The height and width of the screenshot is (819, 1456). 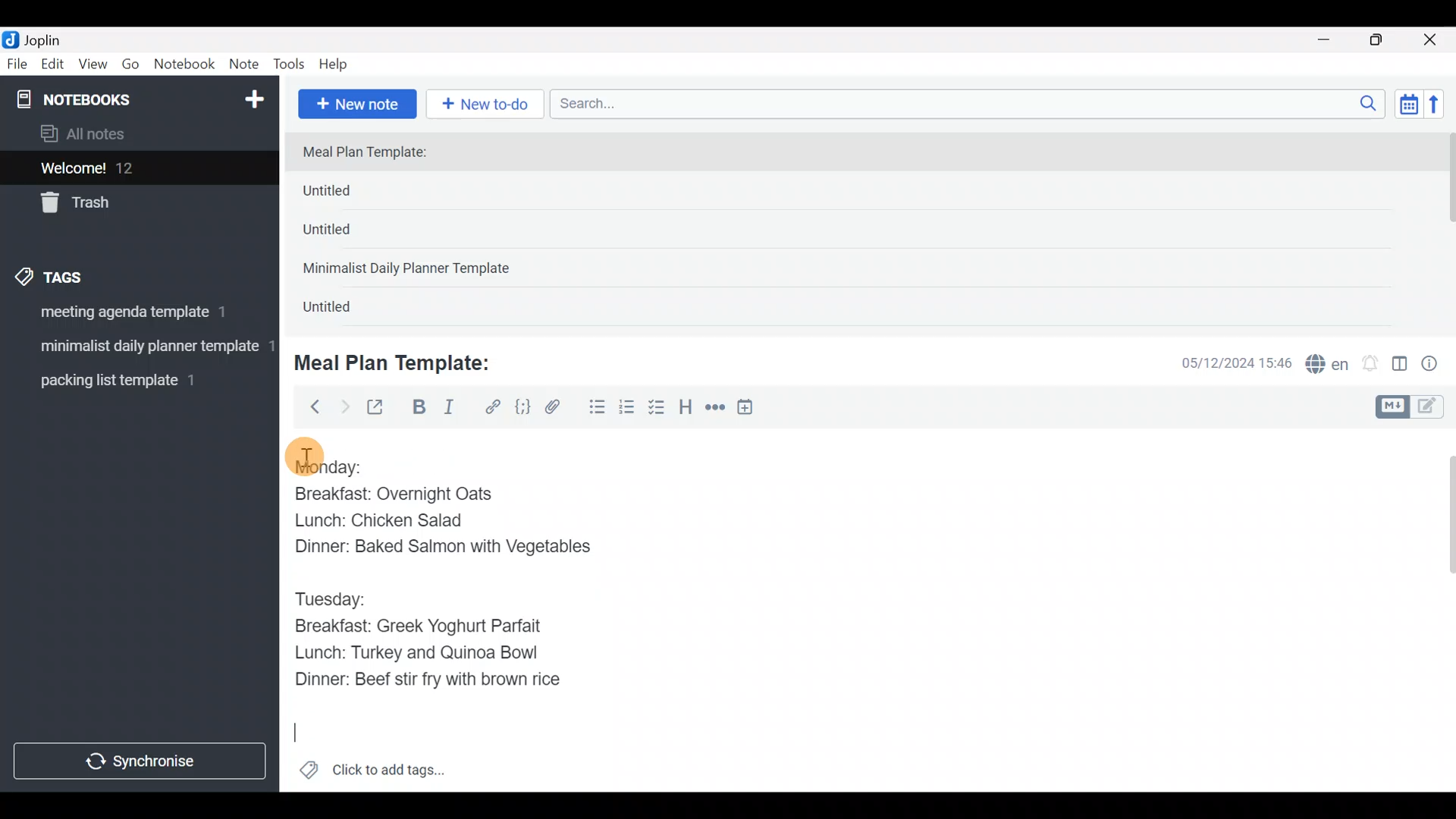 I want to click on Tag 1, so click(x=135, y=316).